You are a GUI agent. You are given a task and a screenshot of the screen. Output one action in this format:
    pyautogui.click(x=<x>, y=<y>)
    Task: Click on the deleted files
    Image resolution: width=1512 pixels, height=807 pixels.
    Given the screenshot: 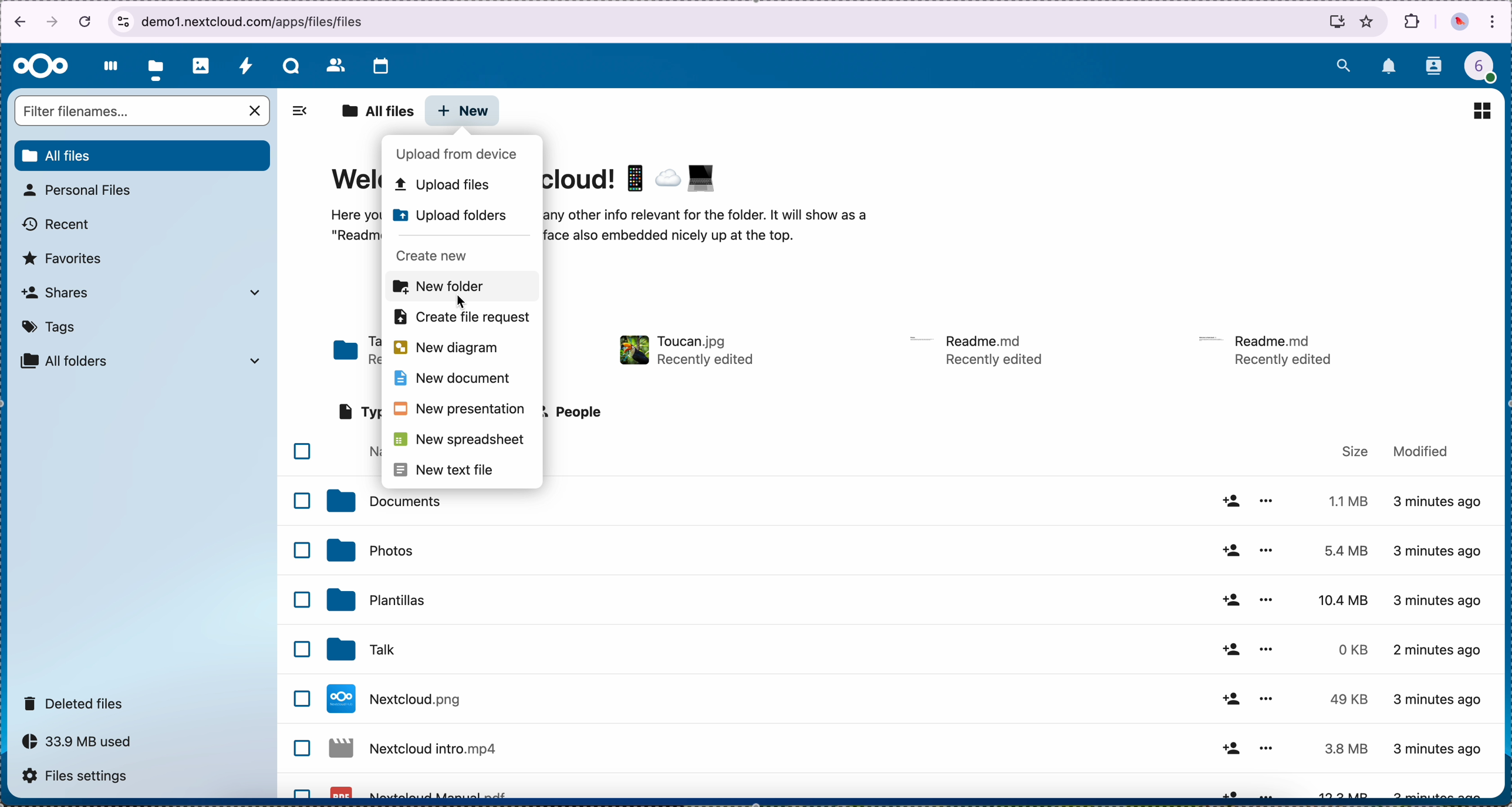 What is the action you would take?
    pyautogui.click(x=76, y=703)
    